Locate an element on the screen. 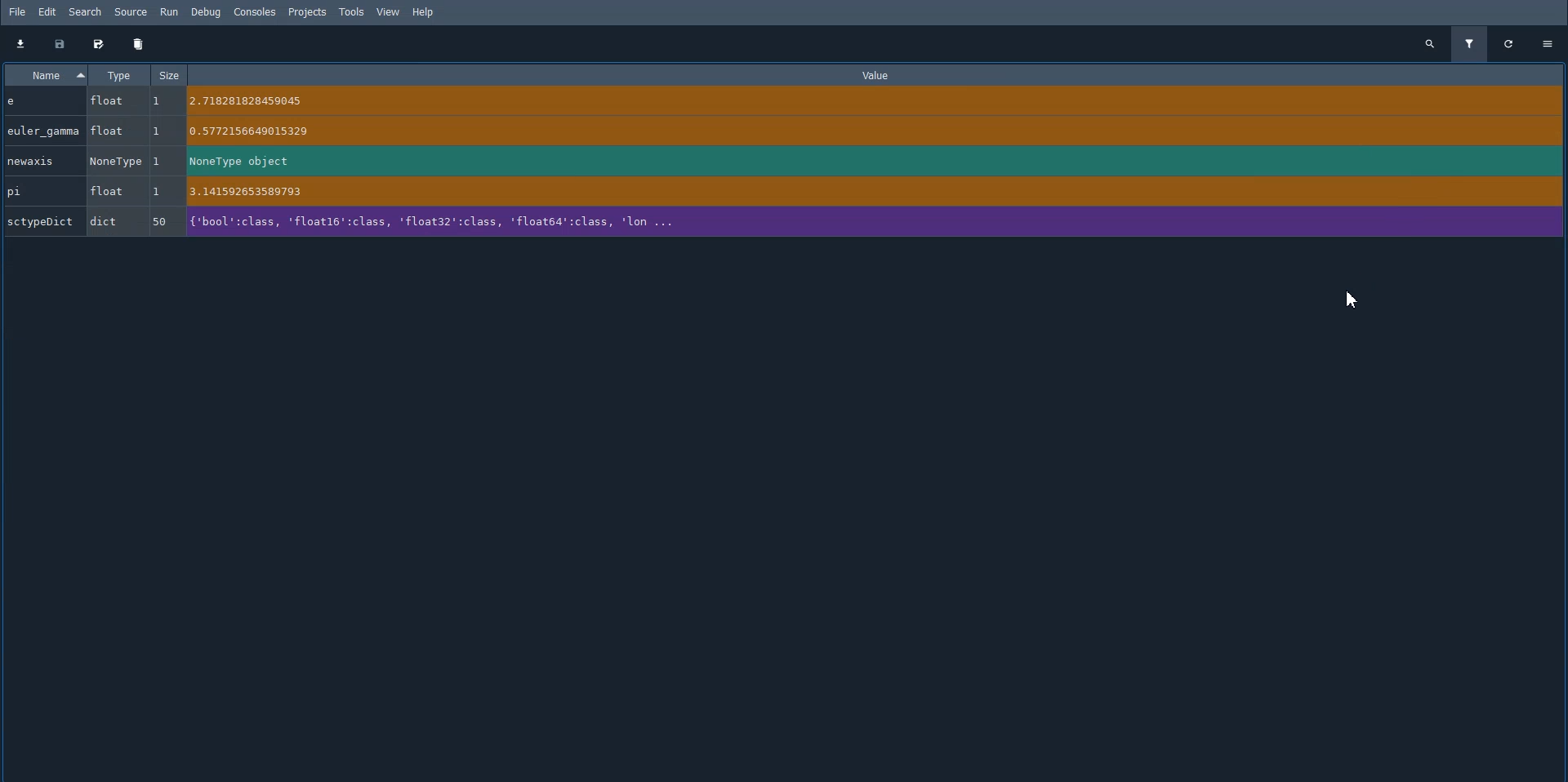 This screenshot has width=1568, height=782. NoneType is located at coordinates (116, 159).